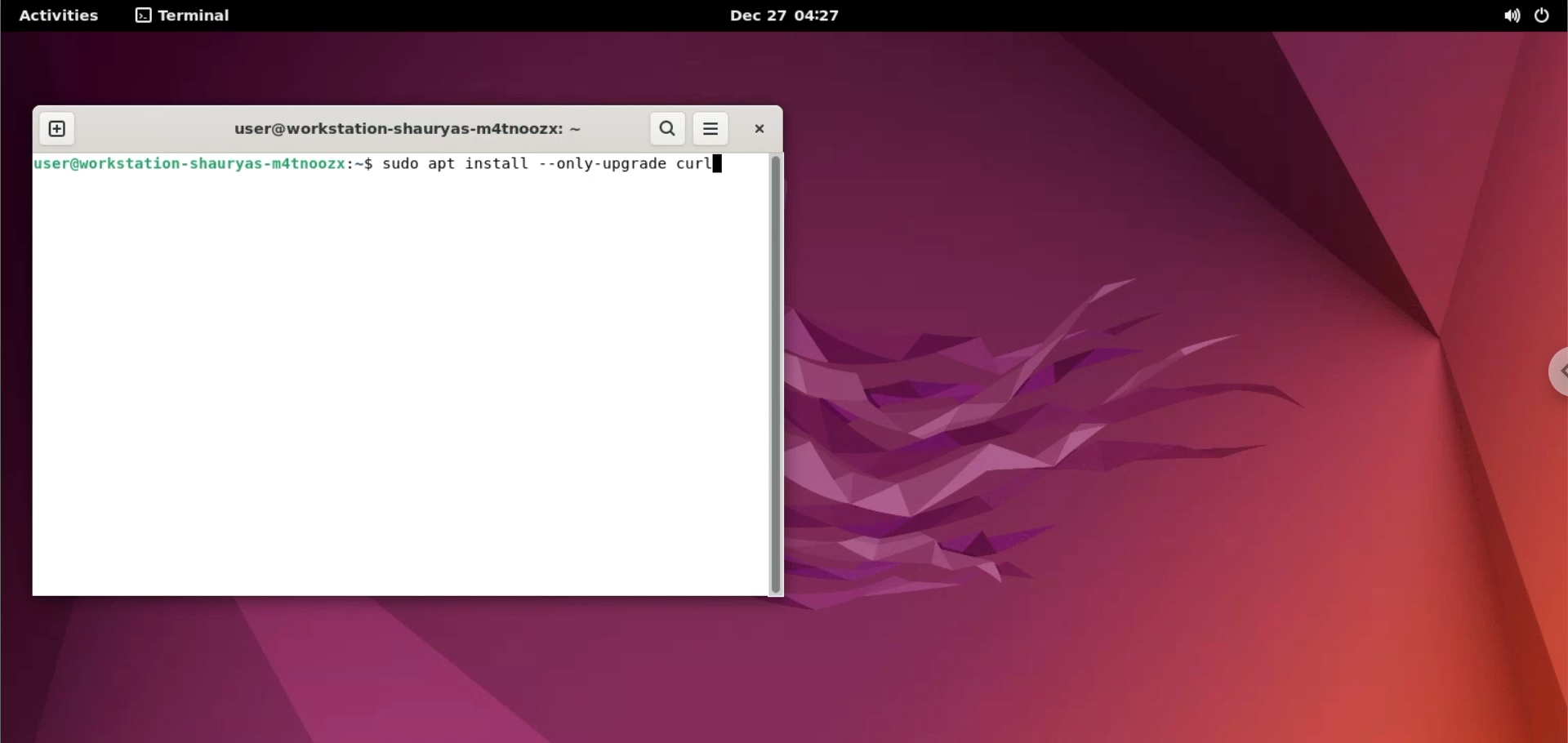  I want to click on power options, so click(1550, 16).